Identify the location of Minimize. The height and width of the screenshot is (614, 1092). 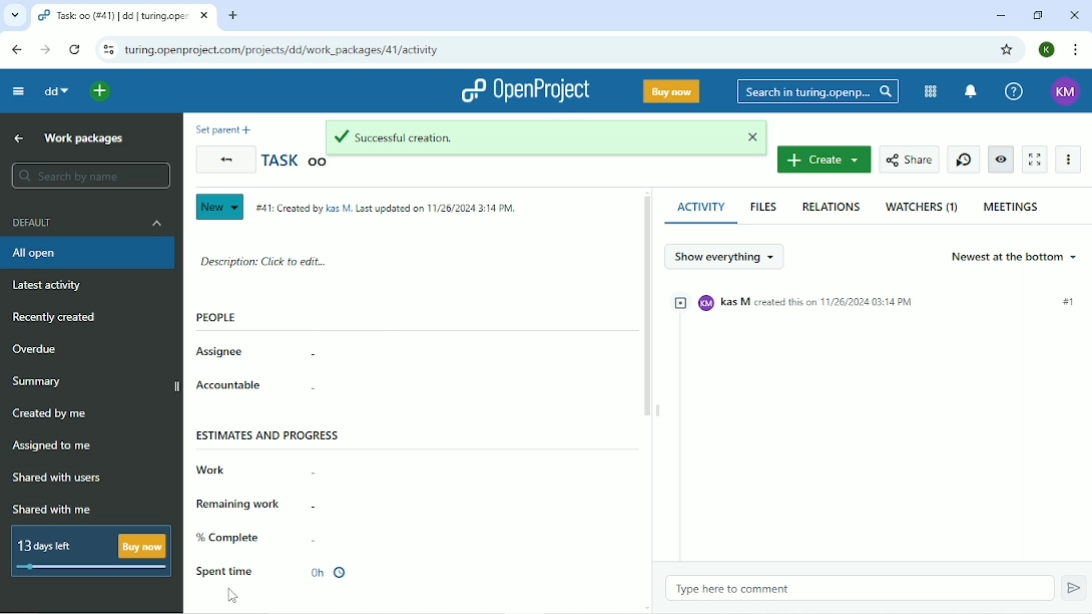
(1001, 15).